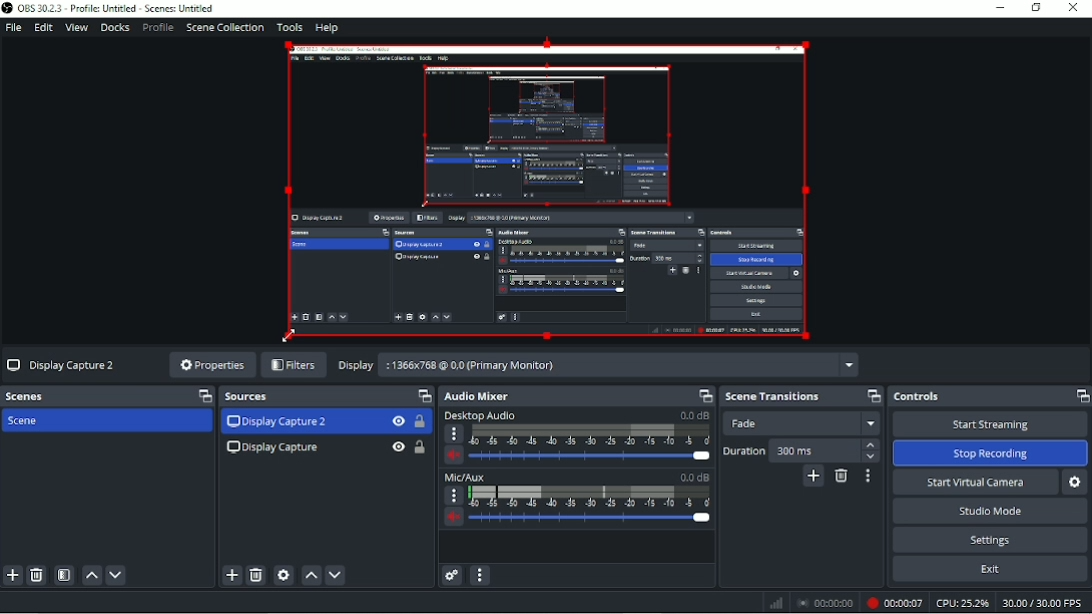  I want to click on Remove cofigurable transition, so click(843, 476).